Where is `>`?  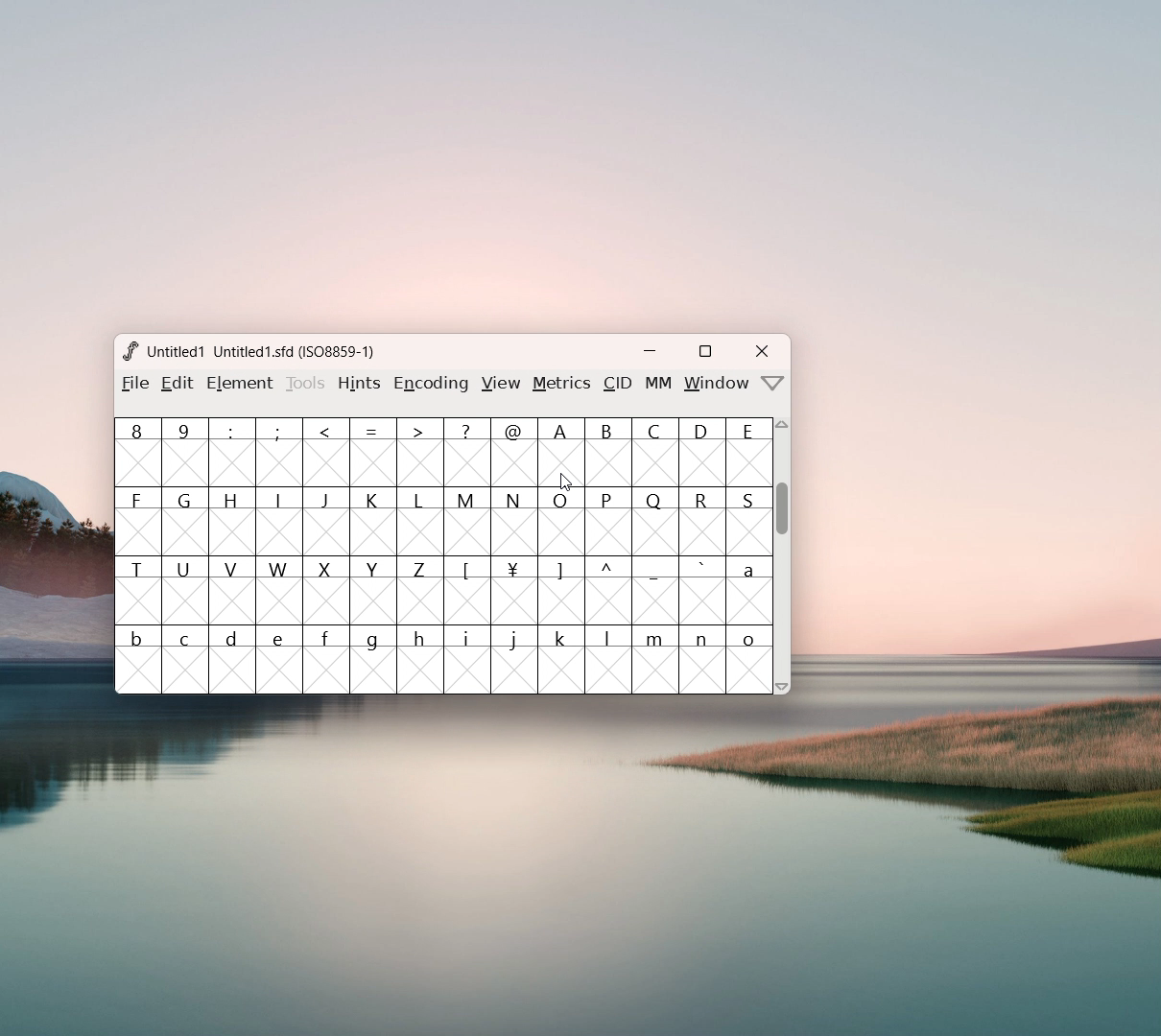
> is located at coordinates (420, 452).